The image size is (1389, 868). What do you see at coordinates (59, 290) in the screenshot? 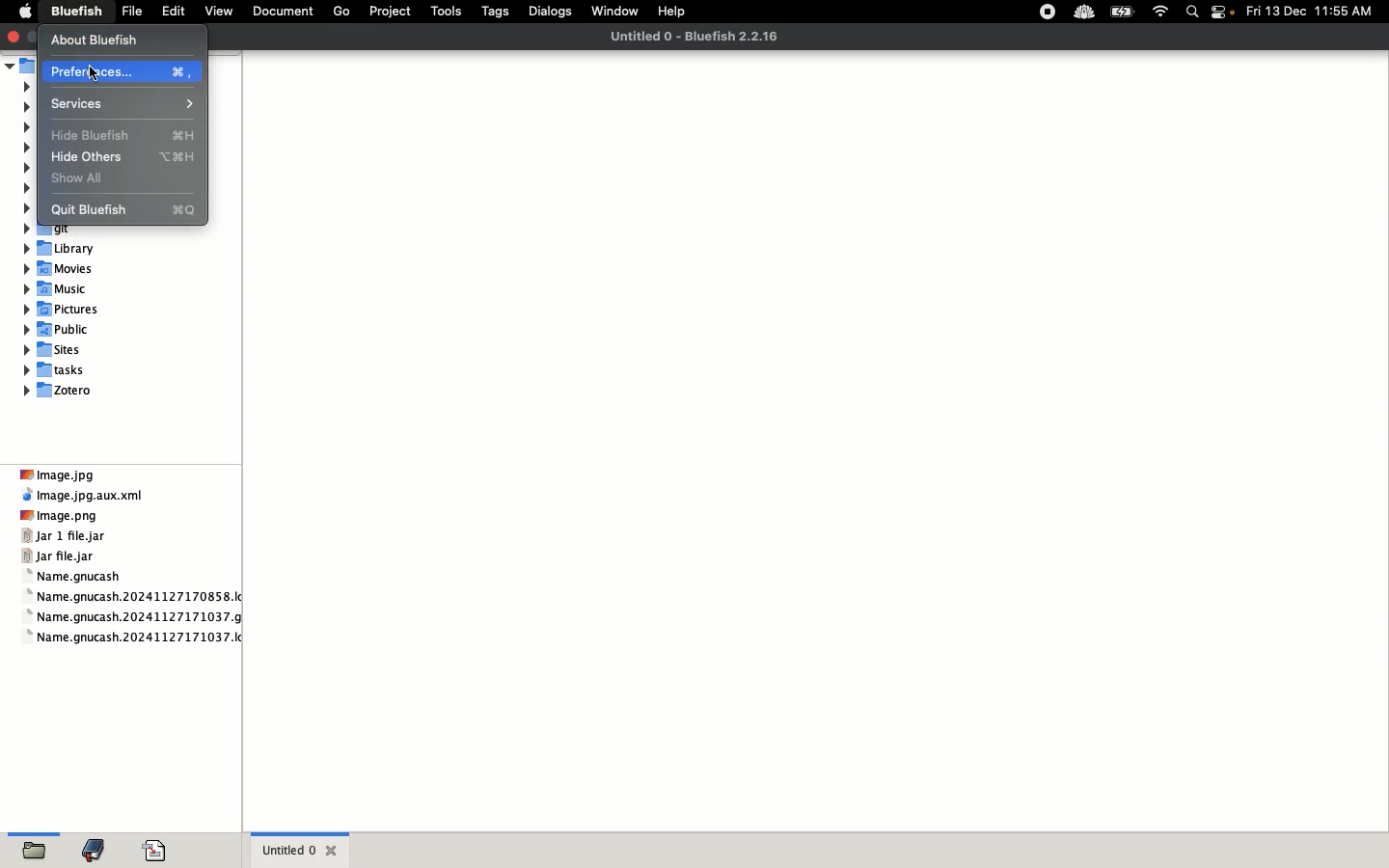
I see `music` at bounding box center [59, 290].